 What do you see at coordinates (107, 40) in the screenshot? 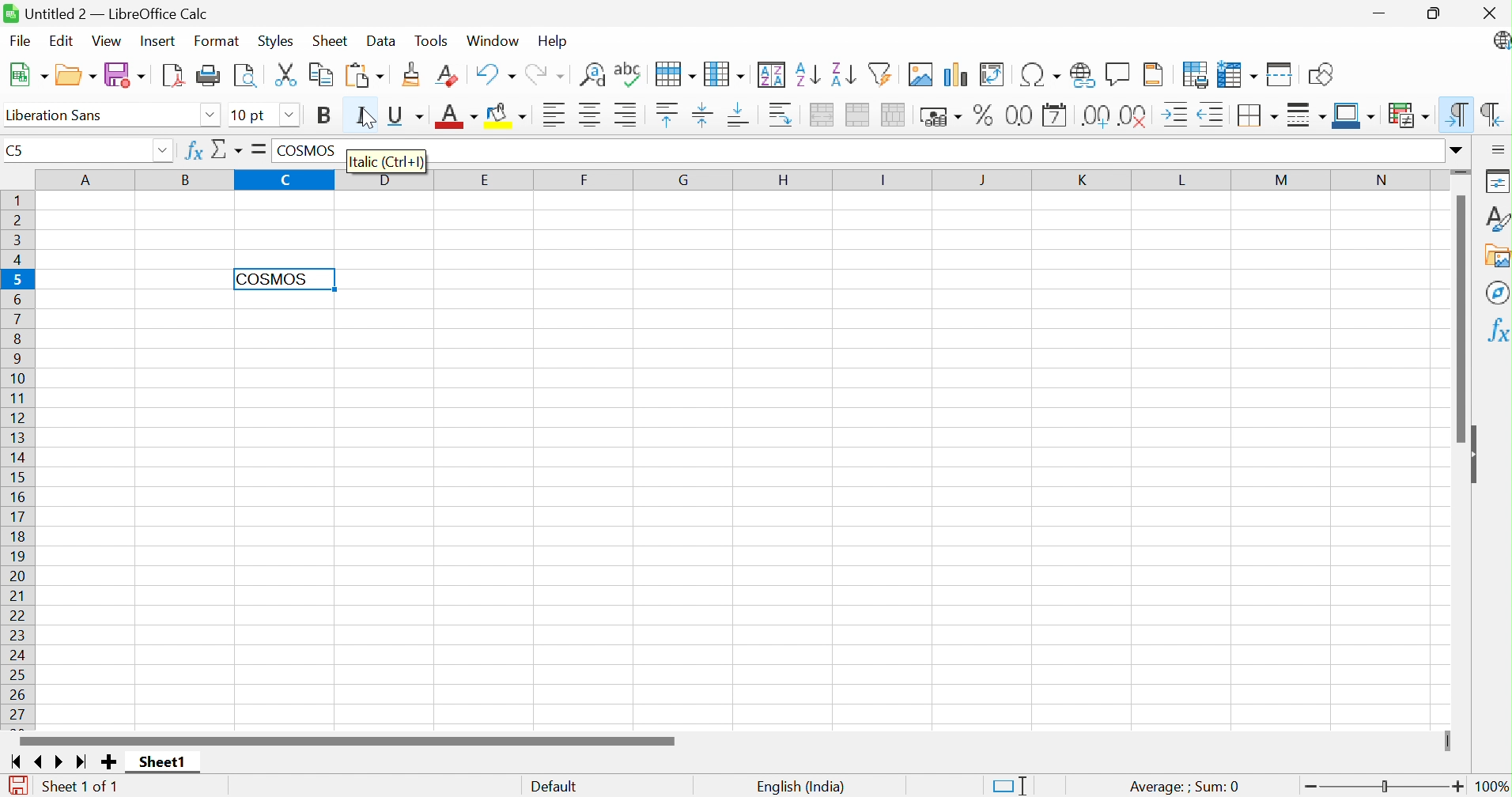
I see `View` at bounding box center [107, 40].